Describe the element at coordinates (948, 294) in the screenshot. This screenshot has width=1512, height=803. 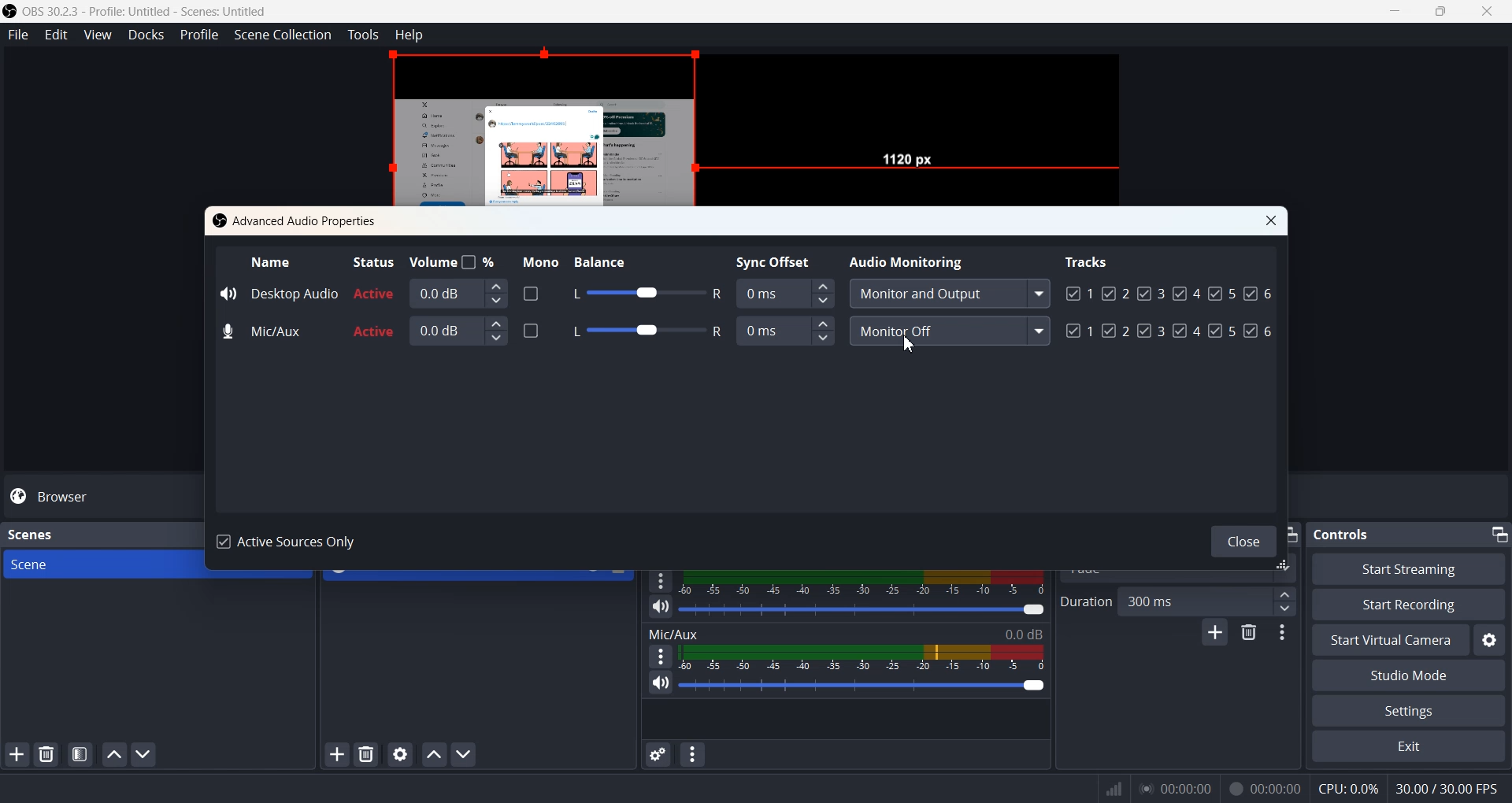
I see `Monitor and Output` at that location.